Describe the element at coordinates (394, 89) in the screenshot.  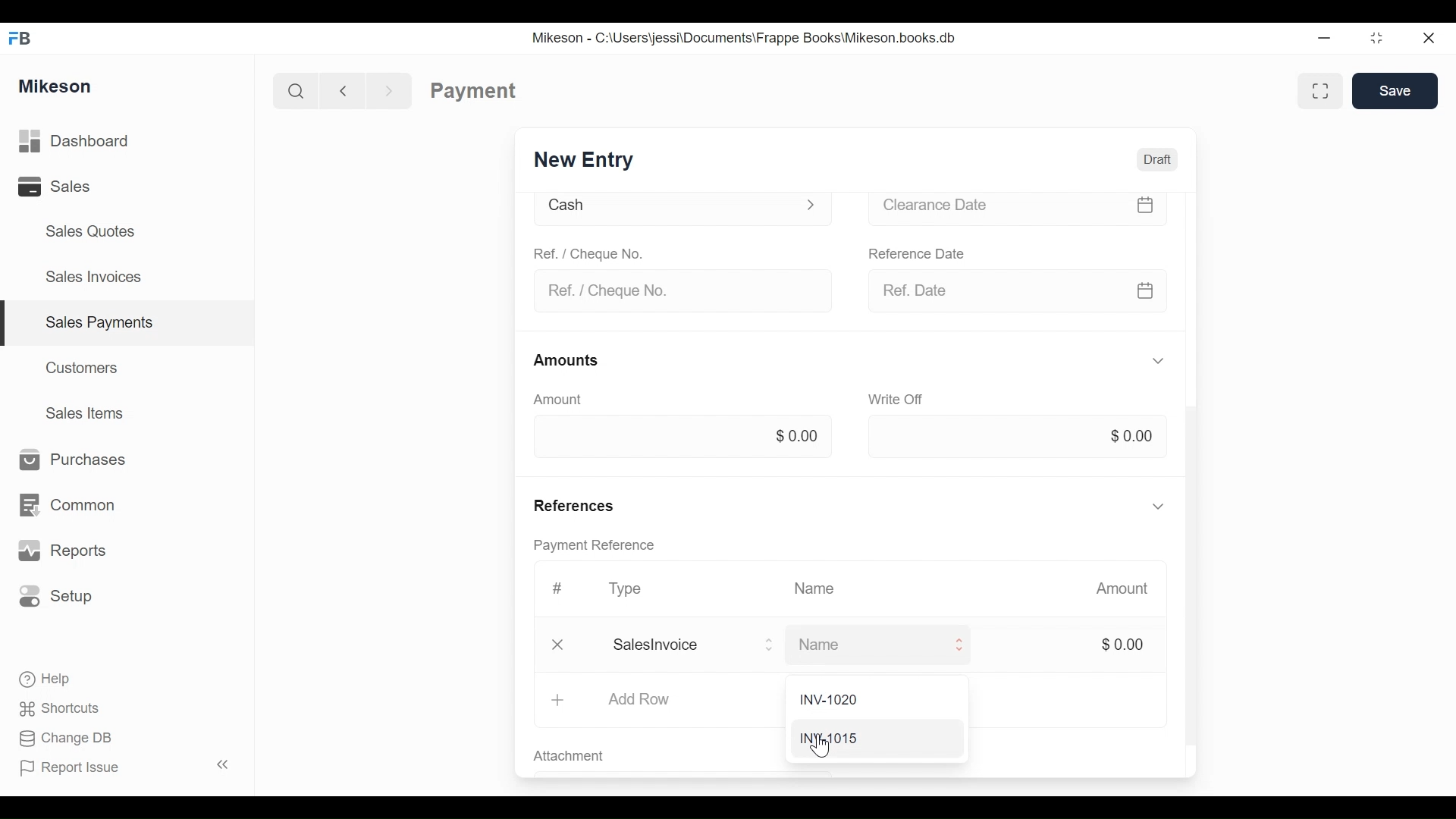
I see `Forward` at that location.